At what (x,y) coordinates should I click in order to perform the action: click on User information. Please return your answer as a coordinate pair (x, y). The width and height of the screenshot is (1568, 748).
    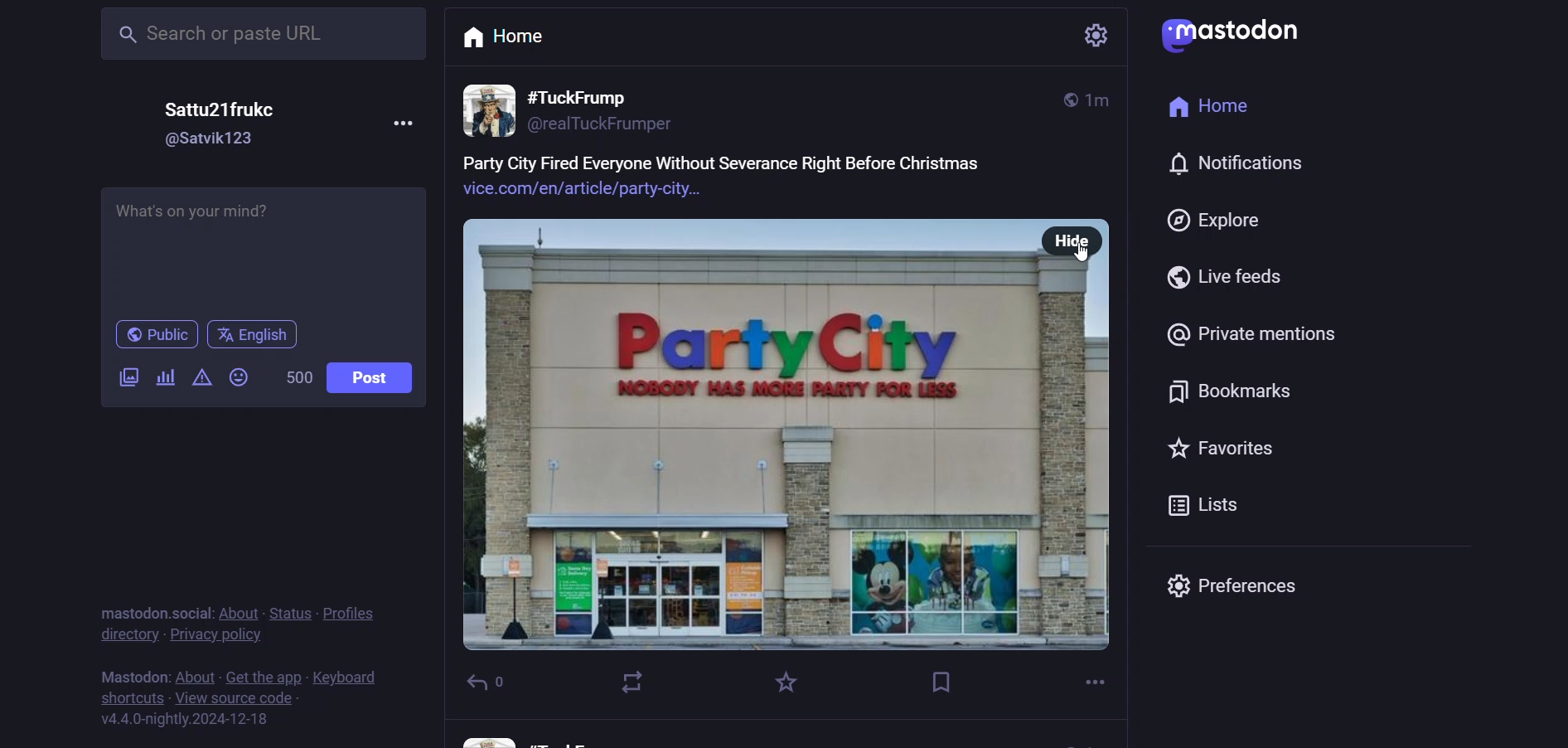
    Looking at the image, I should click on (607, 108).